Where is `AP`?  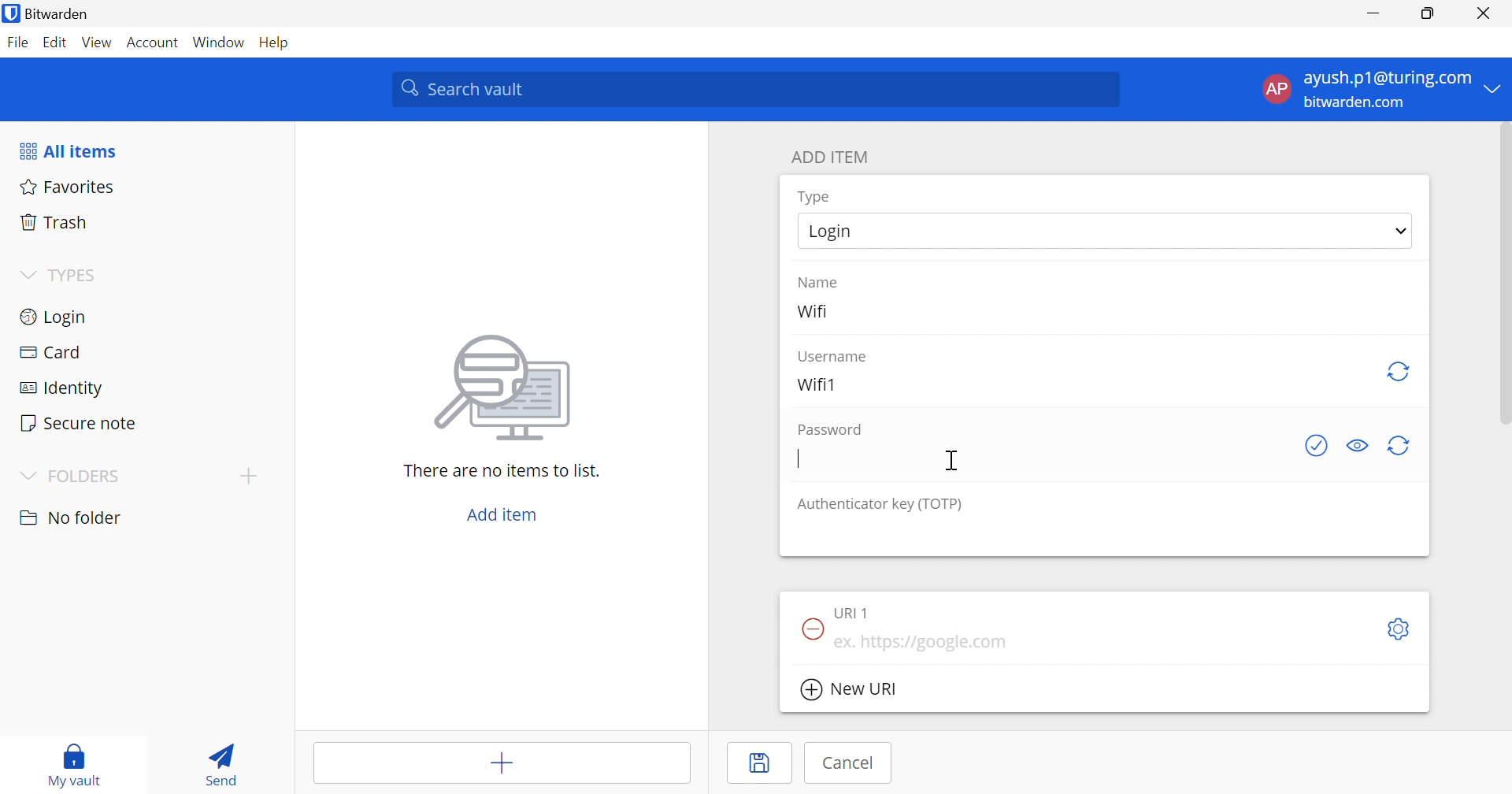
AP is located at coordinates (1275, 92).